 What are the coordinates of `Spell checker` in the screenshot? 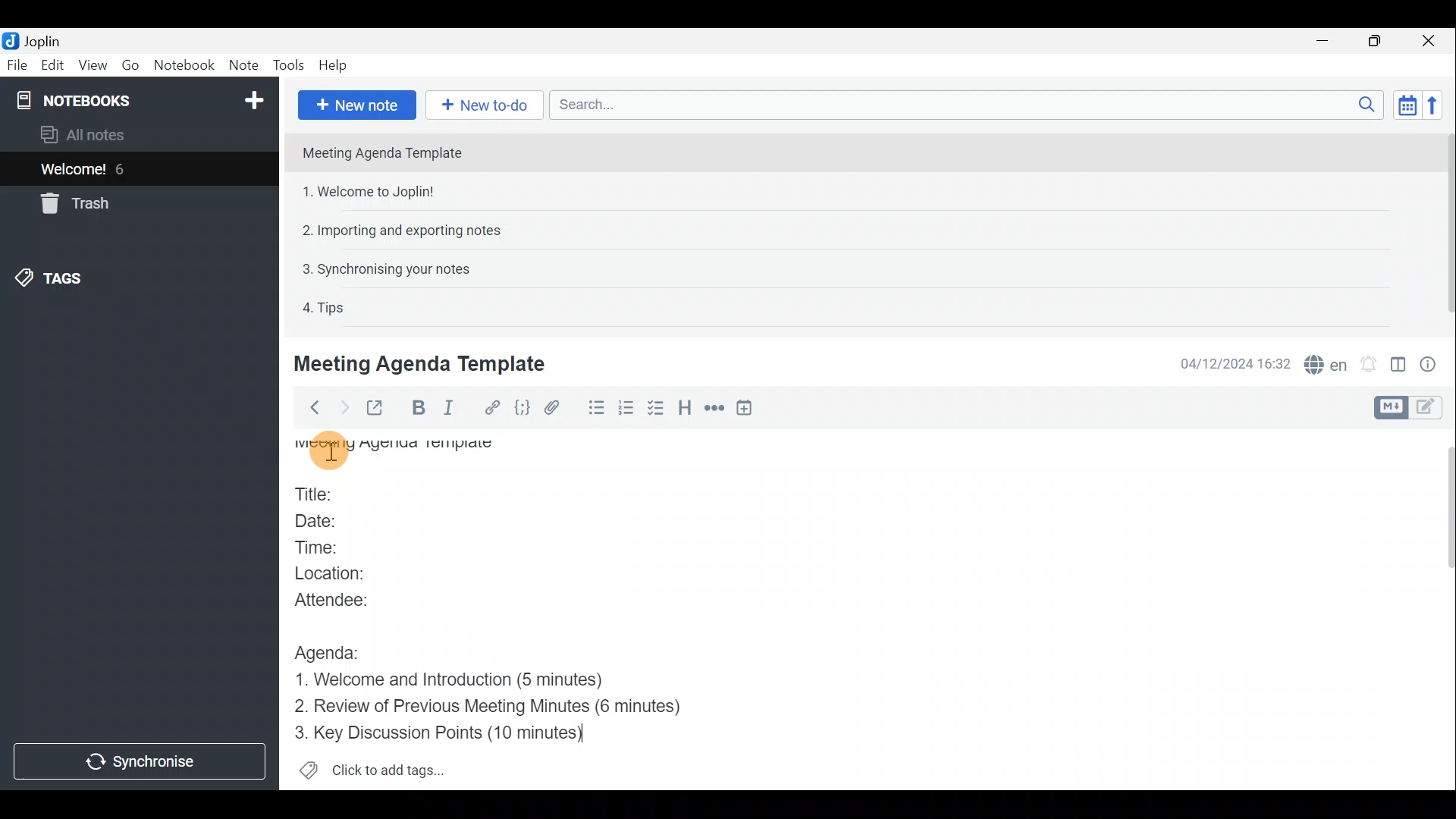 It's located at (1327, 362).